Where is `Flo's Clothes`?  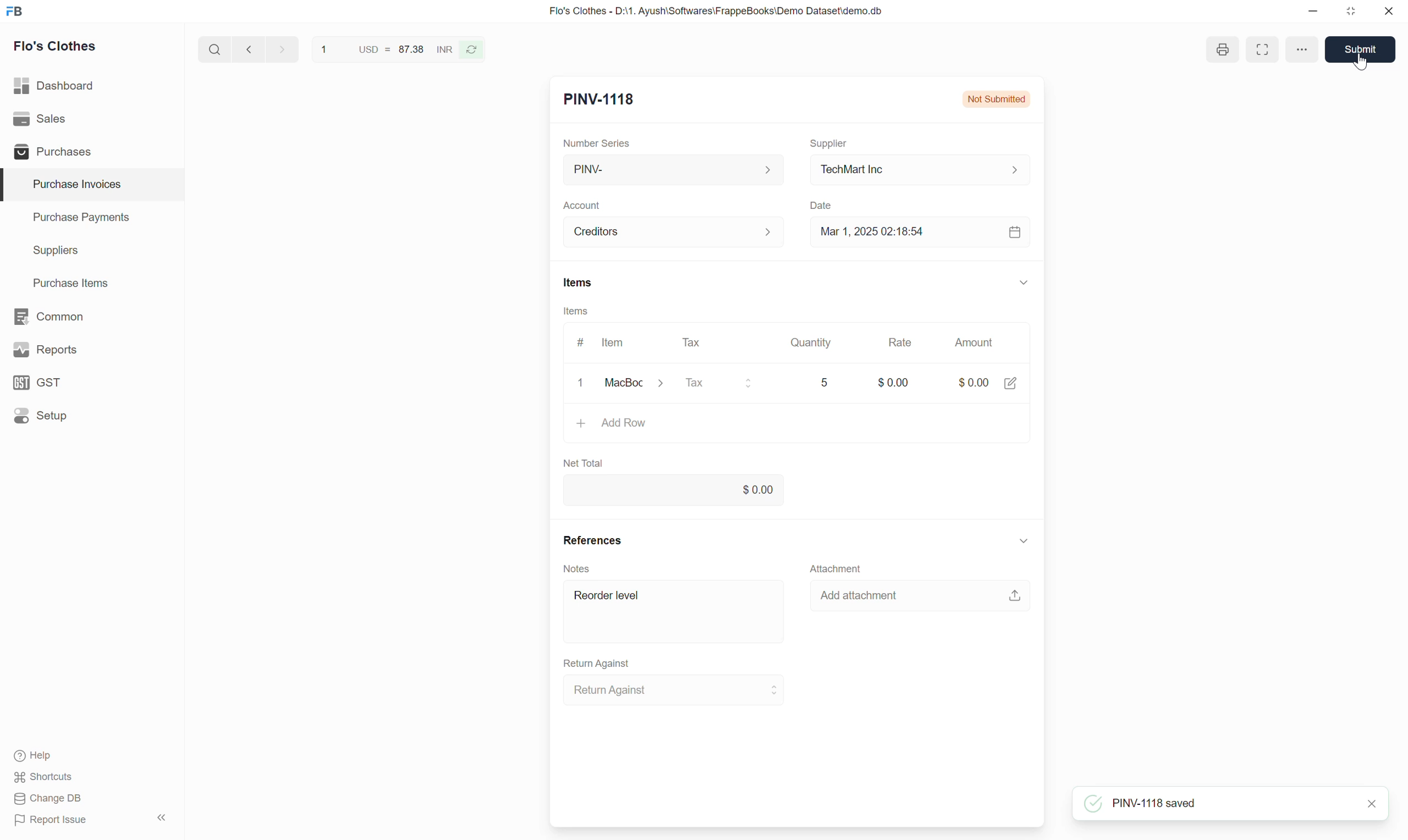 Flo's Clothes is located at coordinates (55, 46).